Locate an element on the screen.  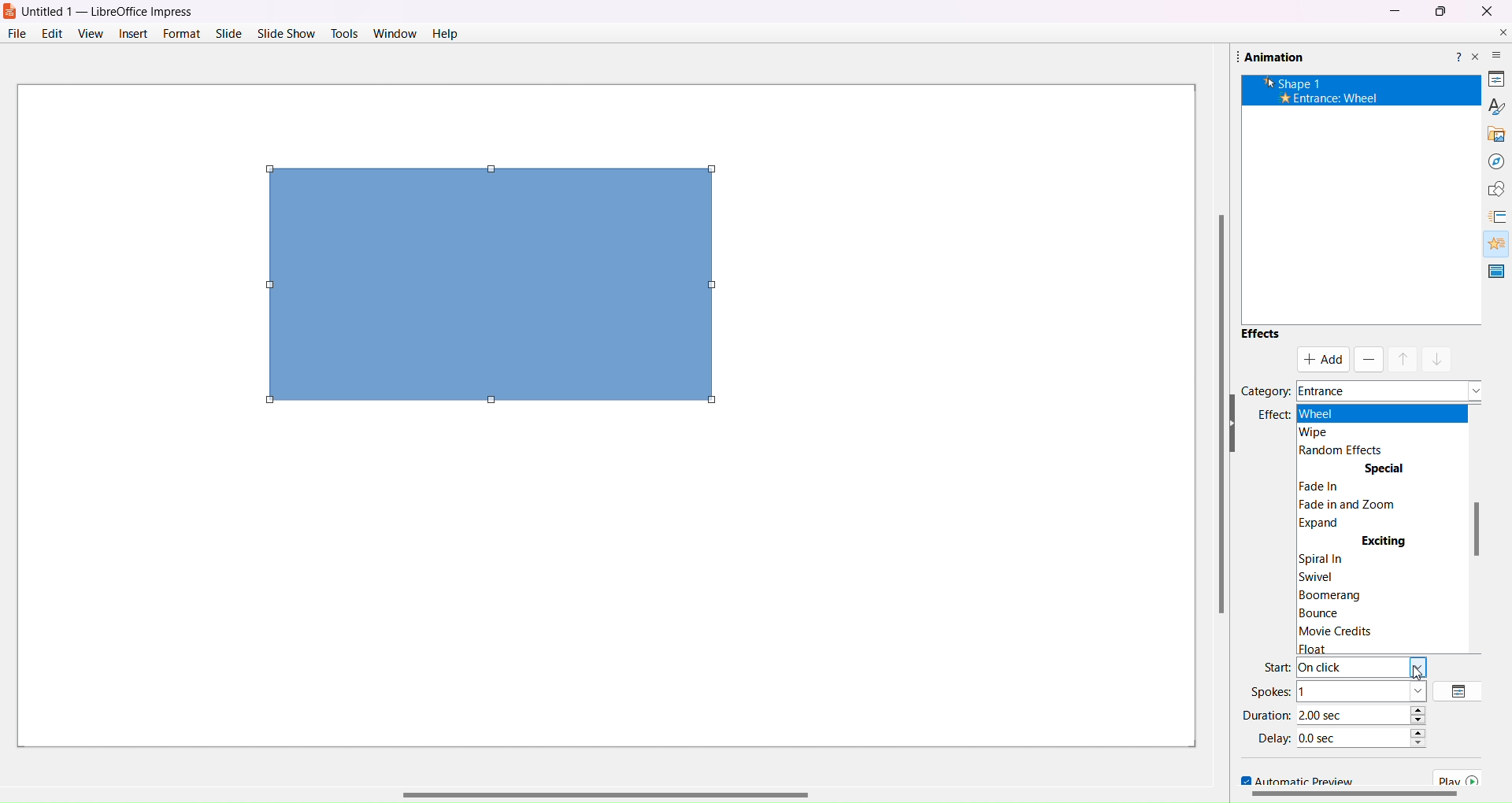
Close is located at coordinates (1486, 10).